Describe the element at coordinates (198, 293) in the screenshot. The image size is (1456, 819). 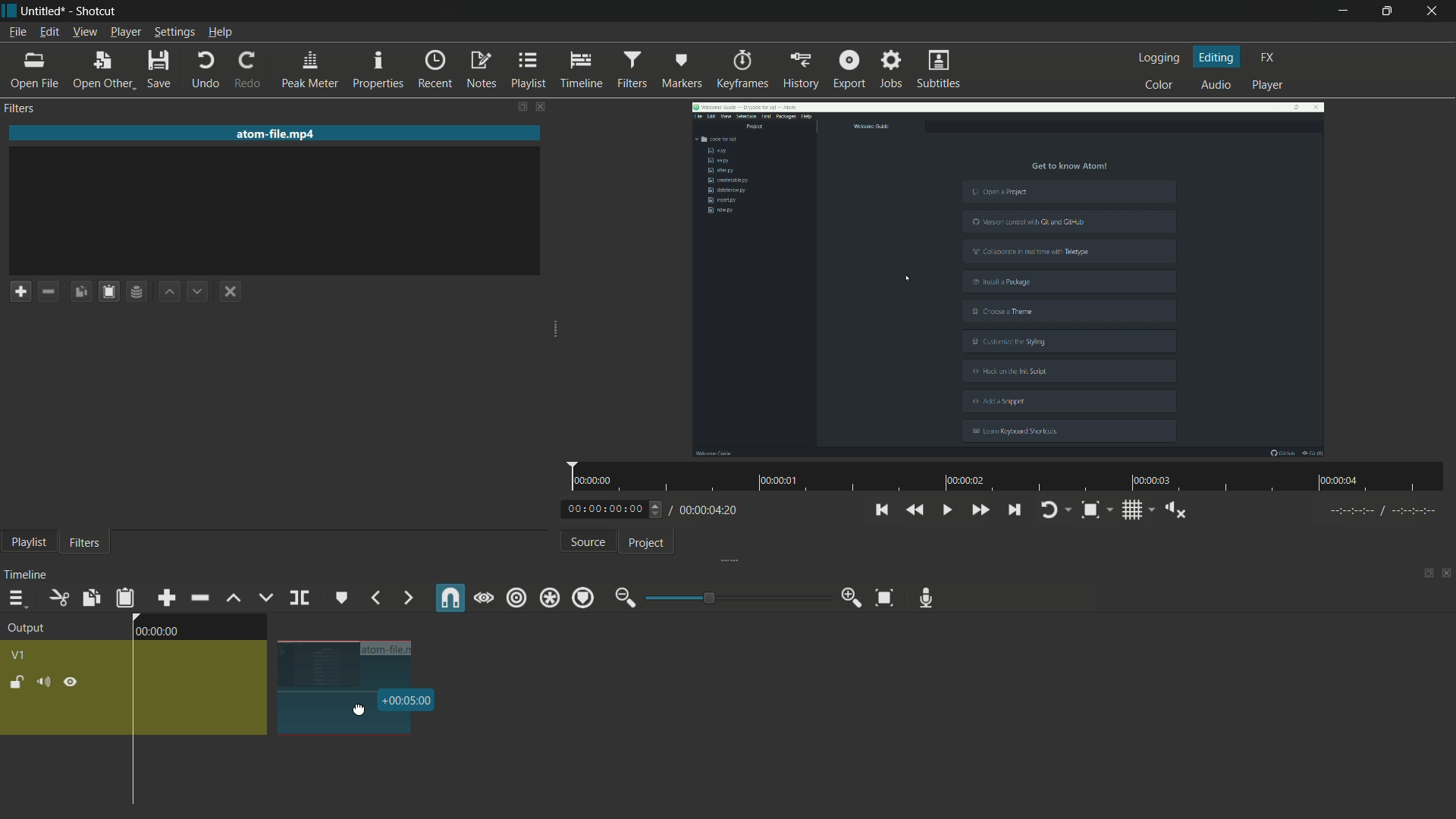
I see `move filter down` at that location.